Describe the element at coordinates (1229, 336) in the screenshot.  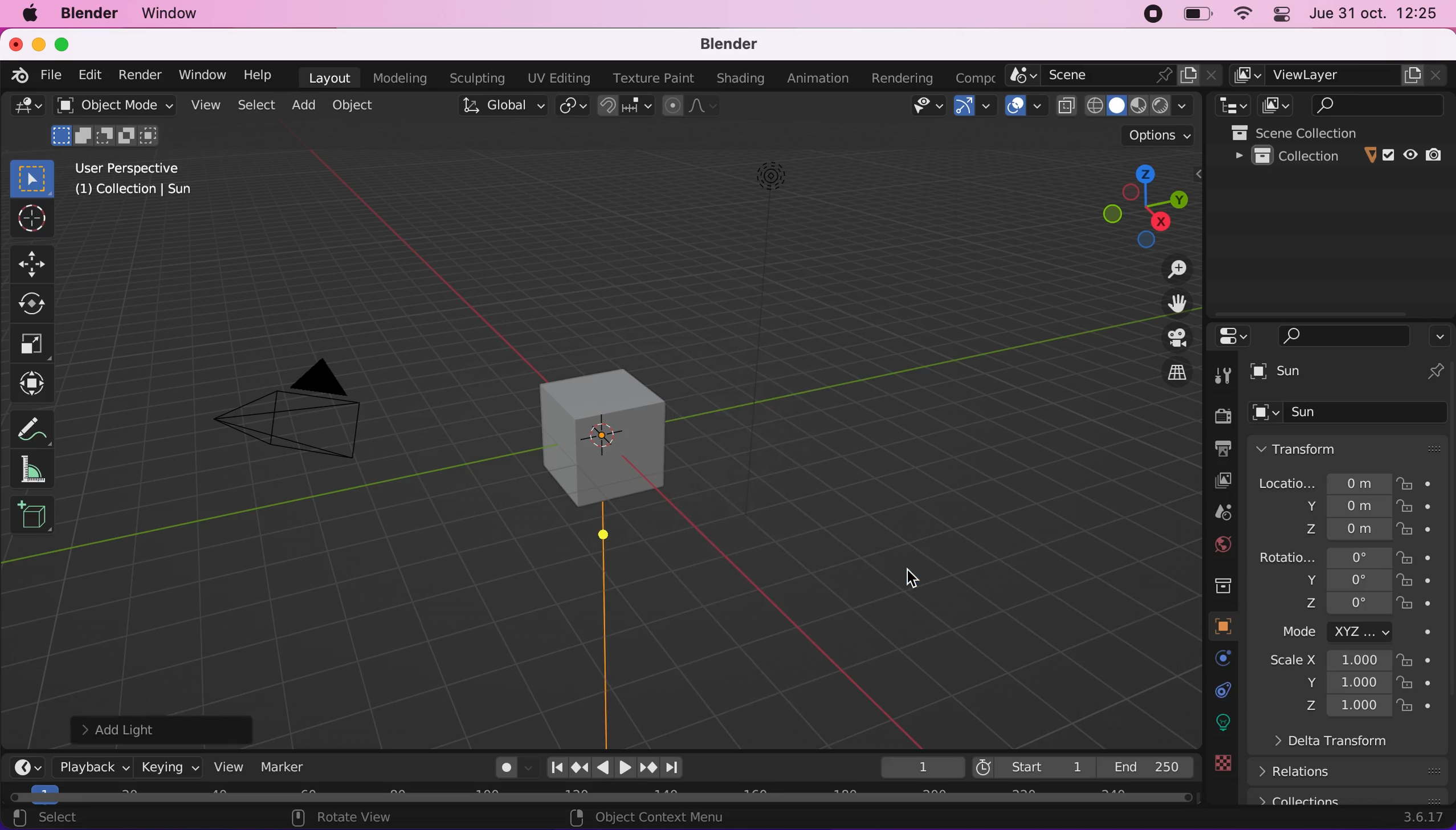
I see `editor type` at that location.